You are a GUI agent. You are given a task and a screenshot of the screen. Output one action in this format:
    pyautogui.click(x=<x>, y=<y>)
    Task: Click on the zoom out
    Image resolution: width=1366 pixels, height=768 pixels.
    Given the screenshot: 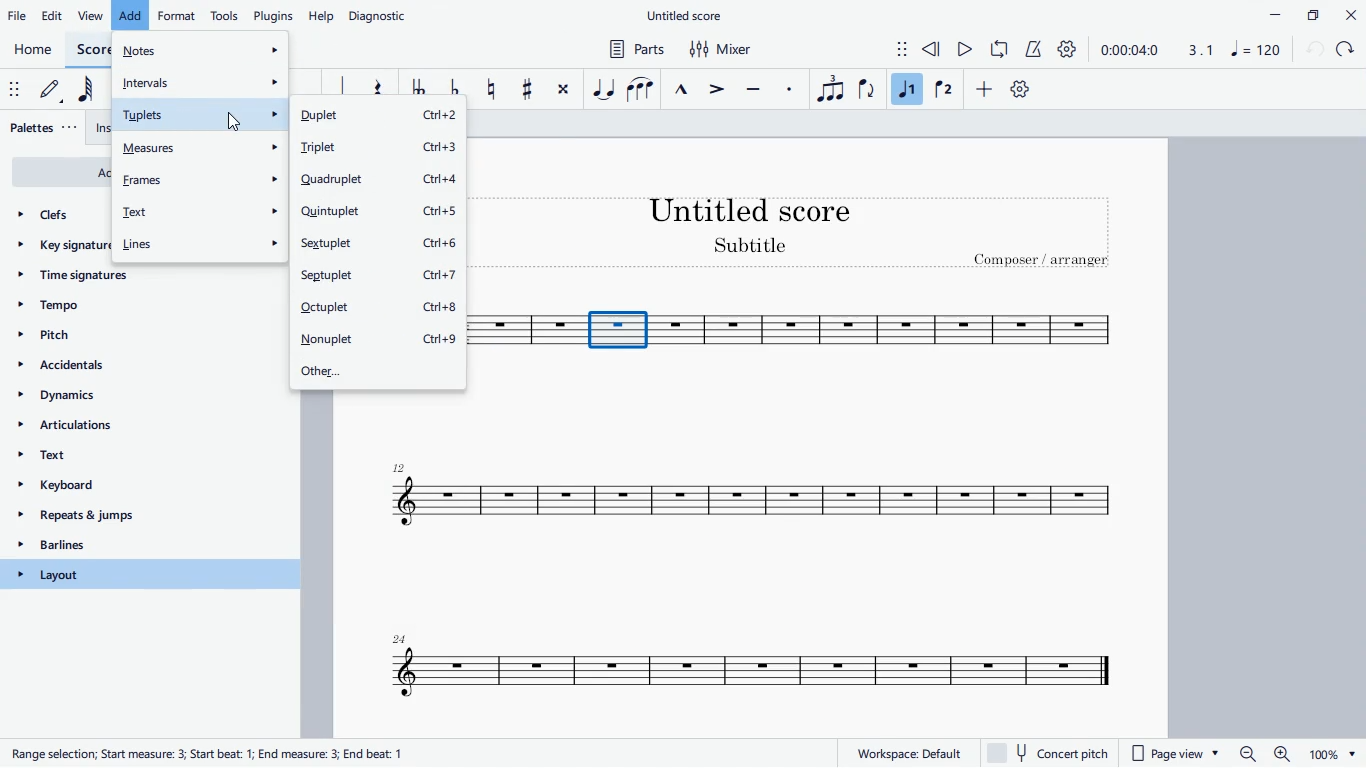 What is the action you would take?
    pyautogui.click(x=1247, y=754)
    